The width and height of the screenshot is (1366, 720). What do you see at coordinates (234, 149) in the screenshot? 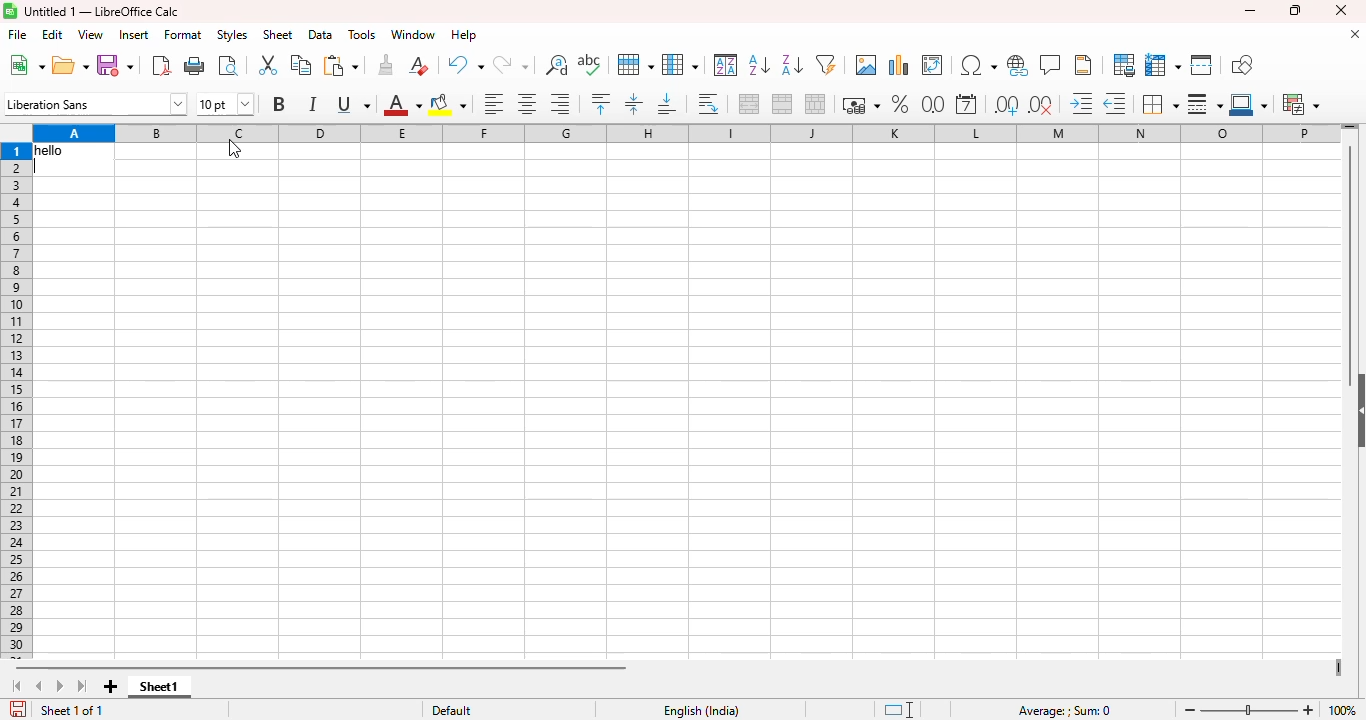
I see `cursor` at bounding box center [234, 149].